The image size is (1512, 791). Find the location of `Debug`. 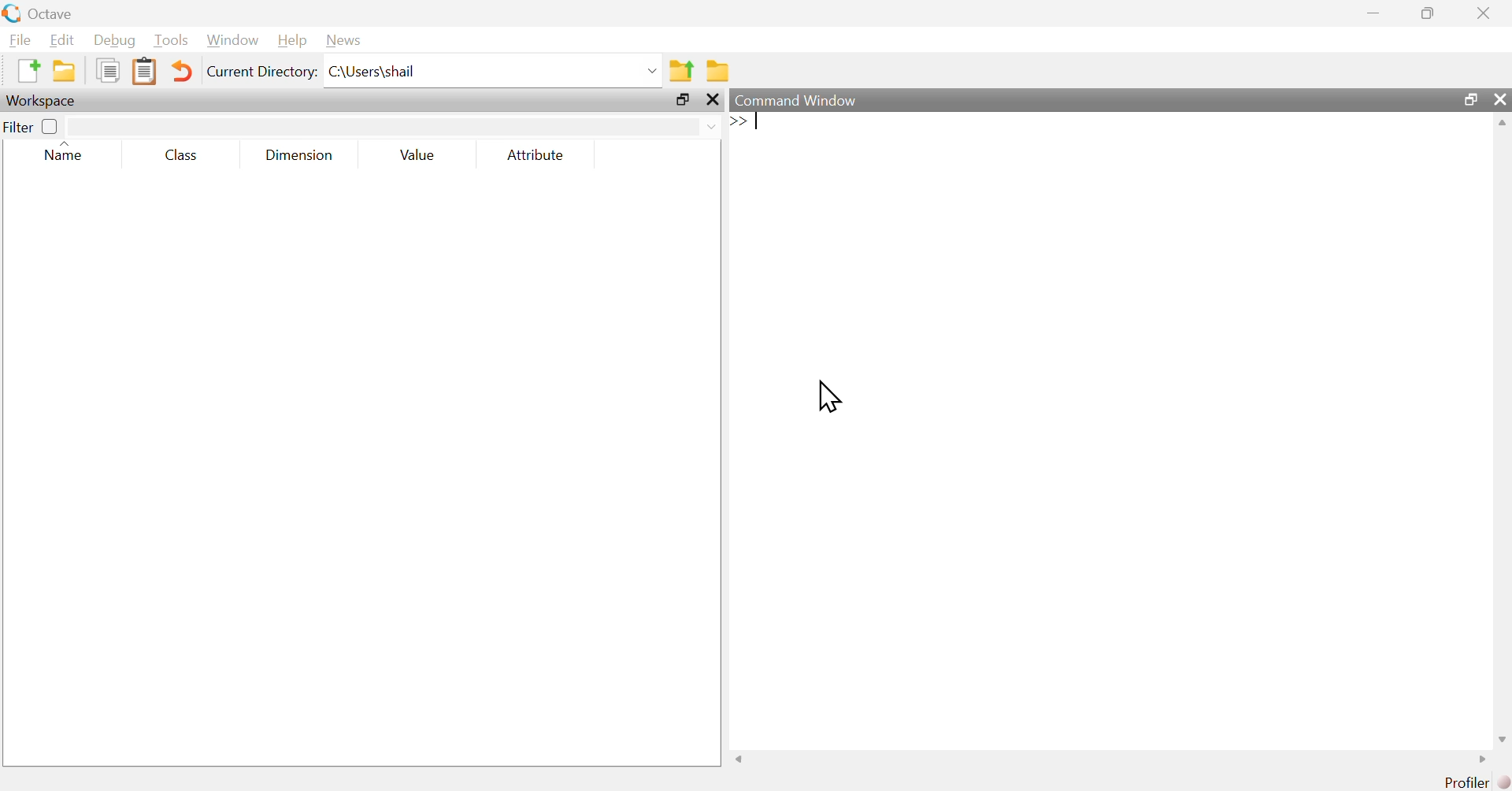

Debug is located at coordinates (113, 40).